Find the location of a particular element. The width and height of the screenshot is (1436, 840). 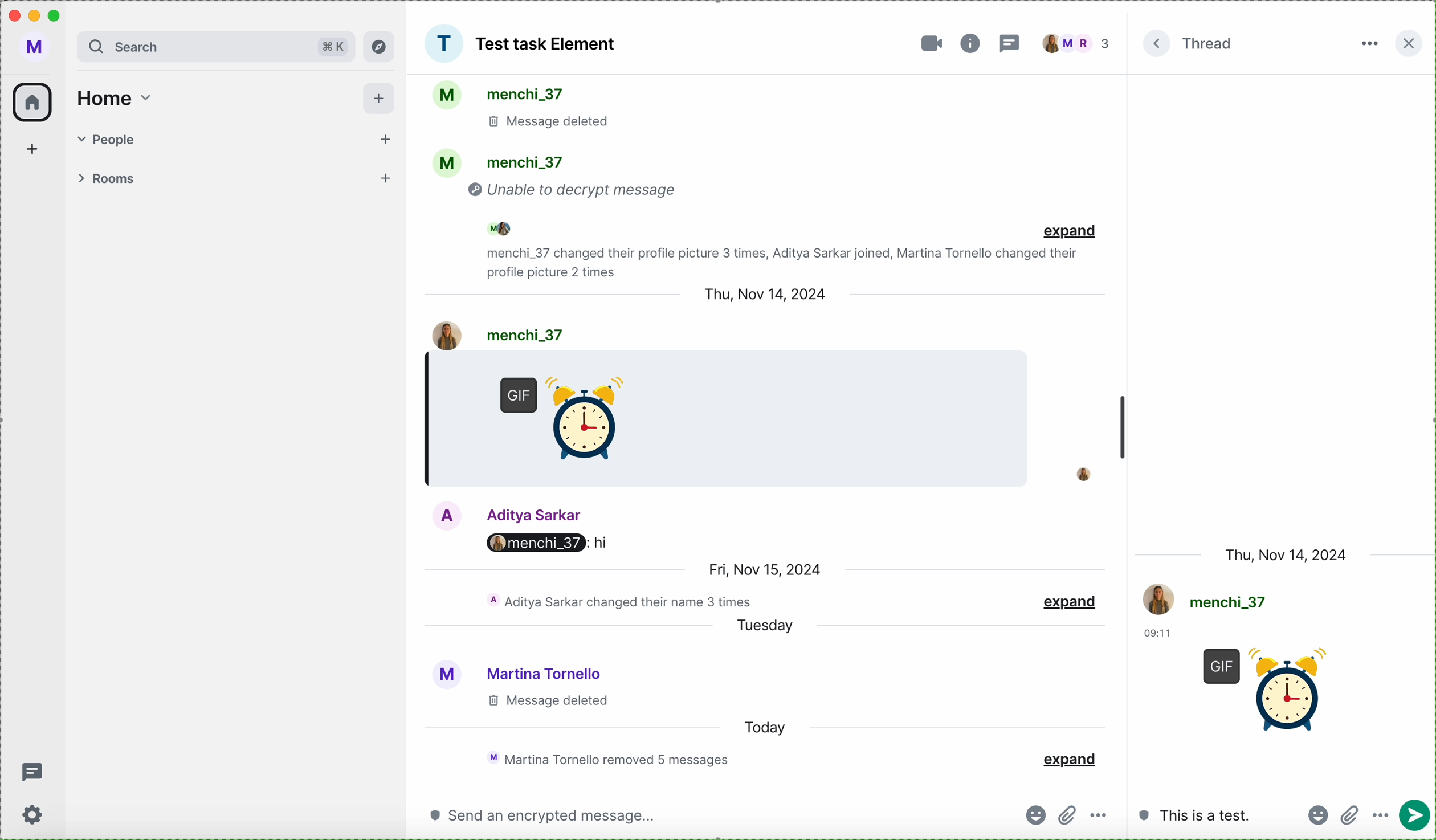

activity chat group is located at coordinates (729, 176).